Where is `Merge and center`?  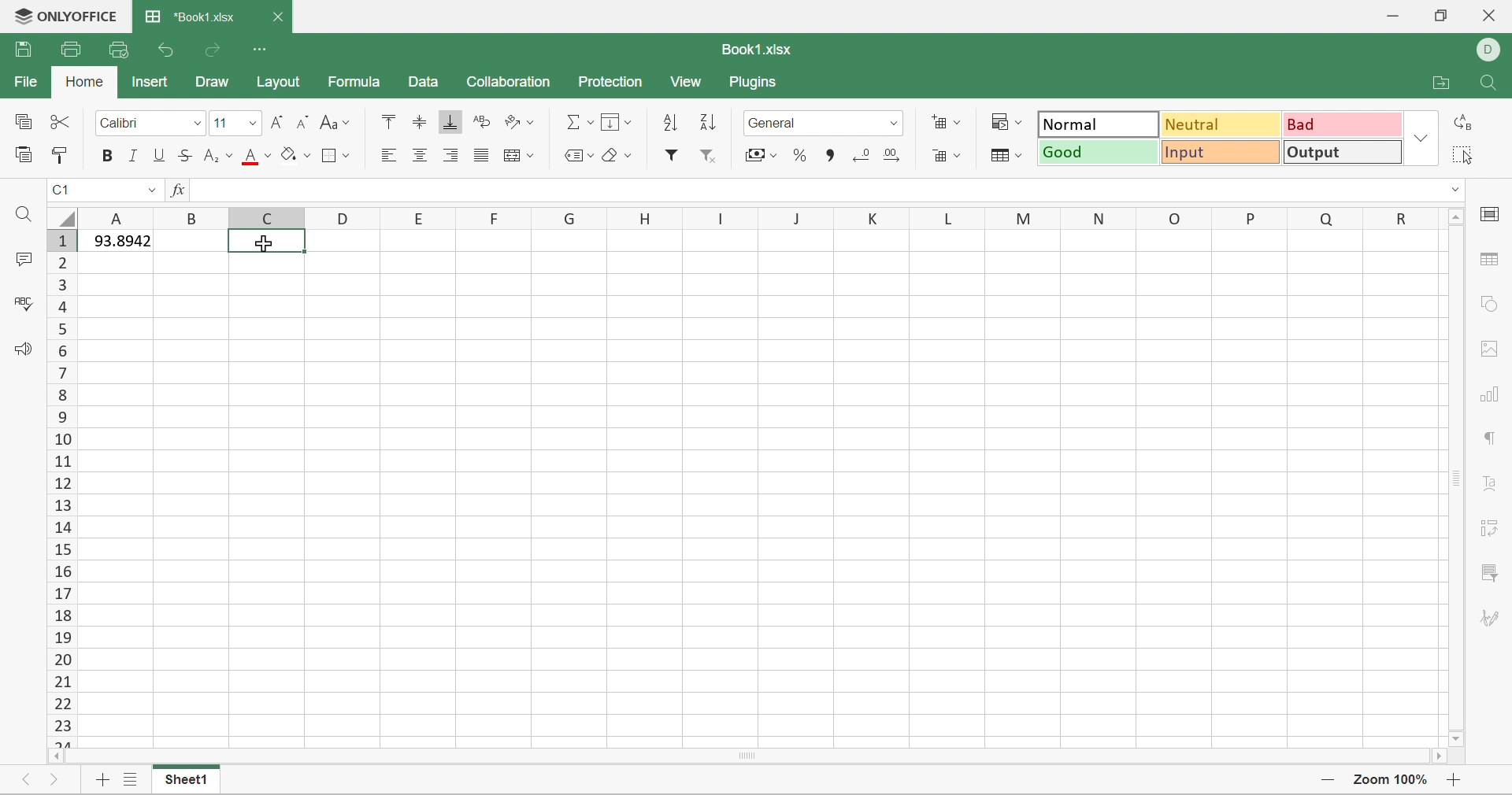 Merge and center is located at coordinates (519, 154).